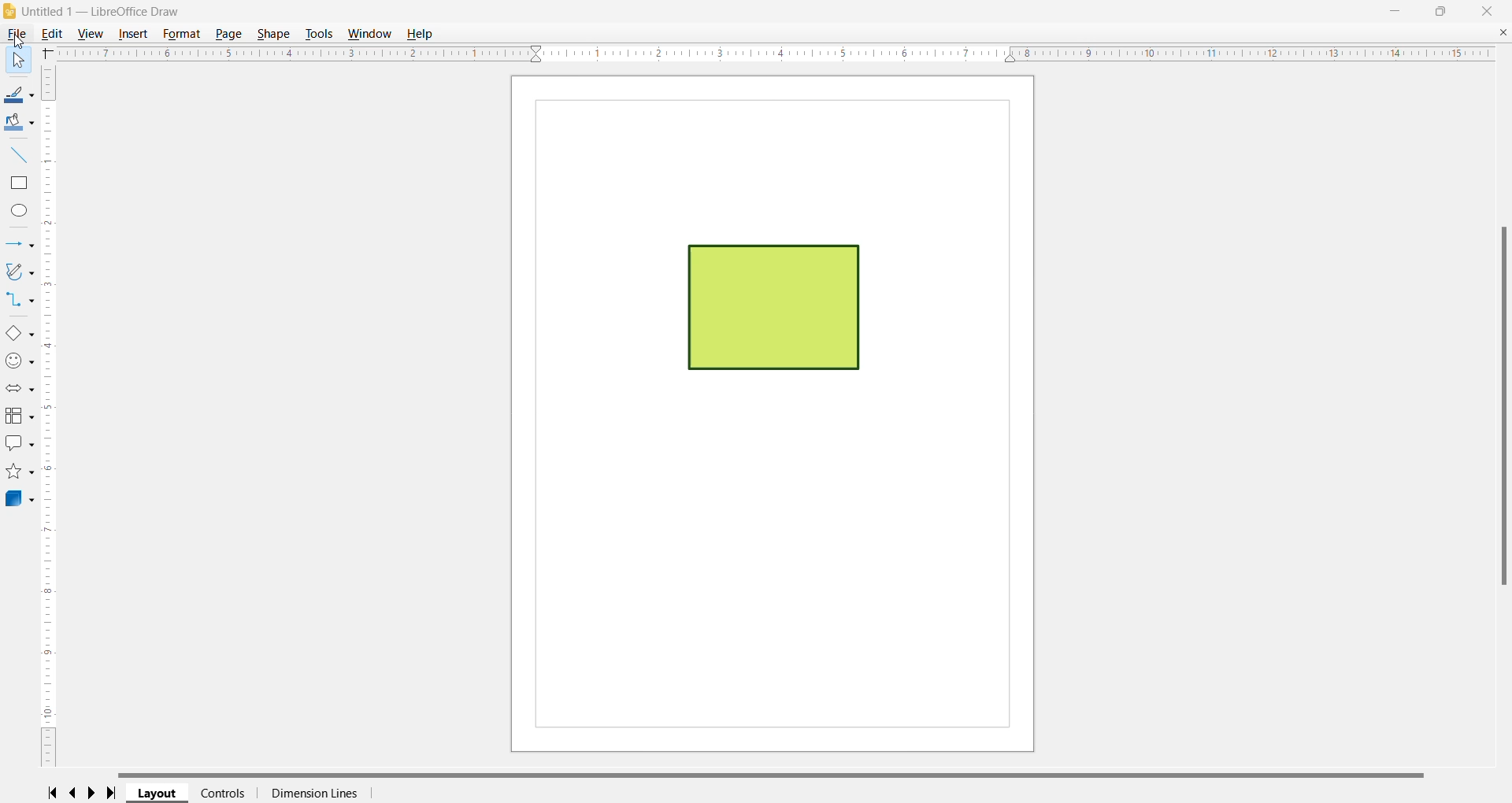 The height and width of the screenshot is (803, 1512). I want to click on Callout Shapes, so click(19, 445).